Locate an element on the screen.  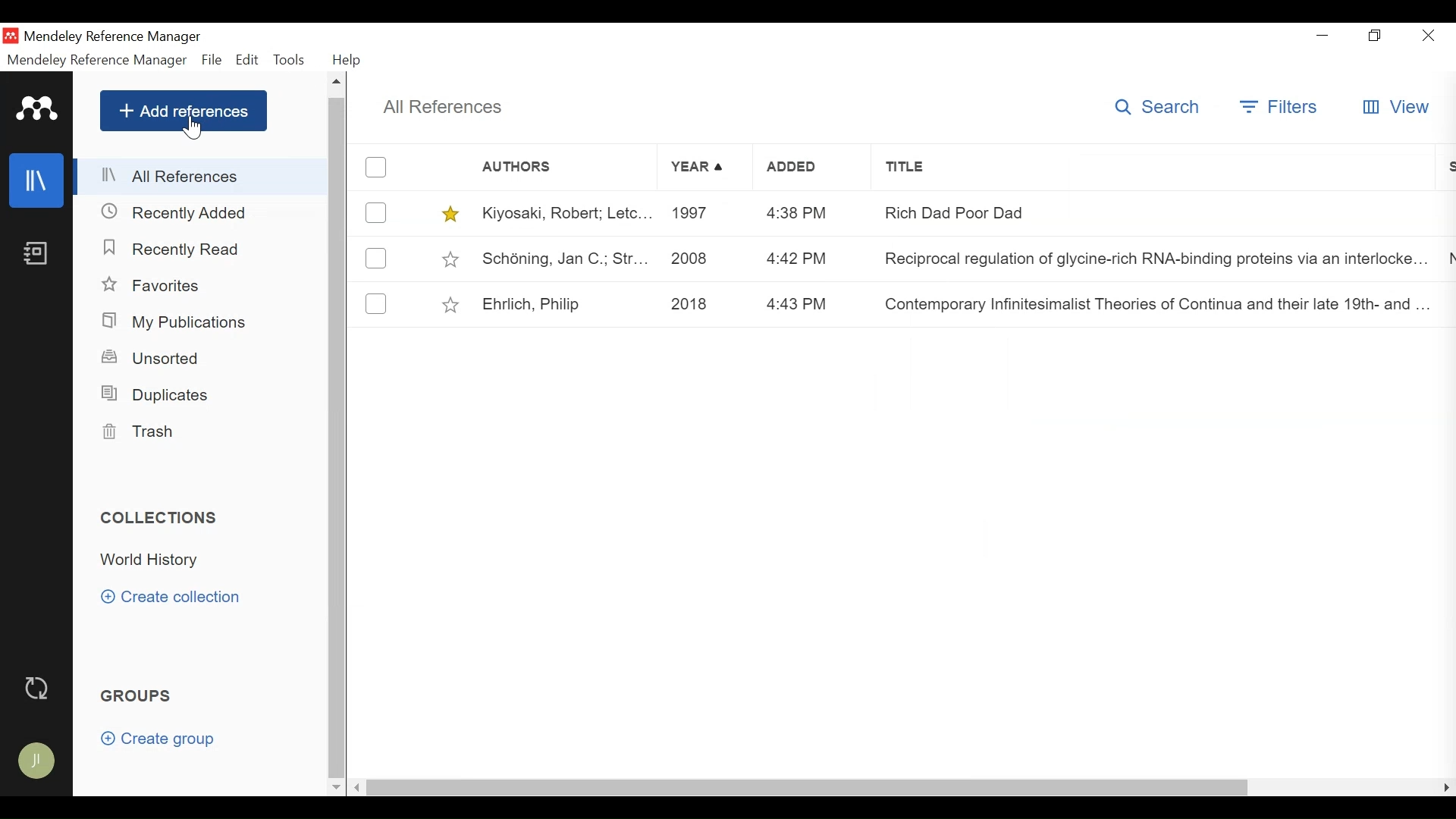
Create Collection is located at coordinates (171, 598).